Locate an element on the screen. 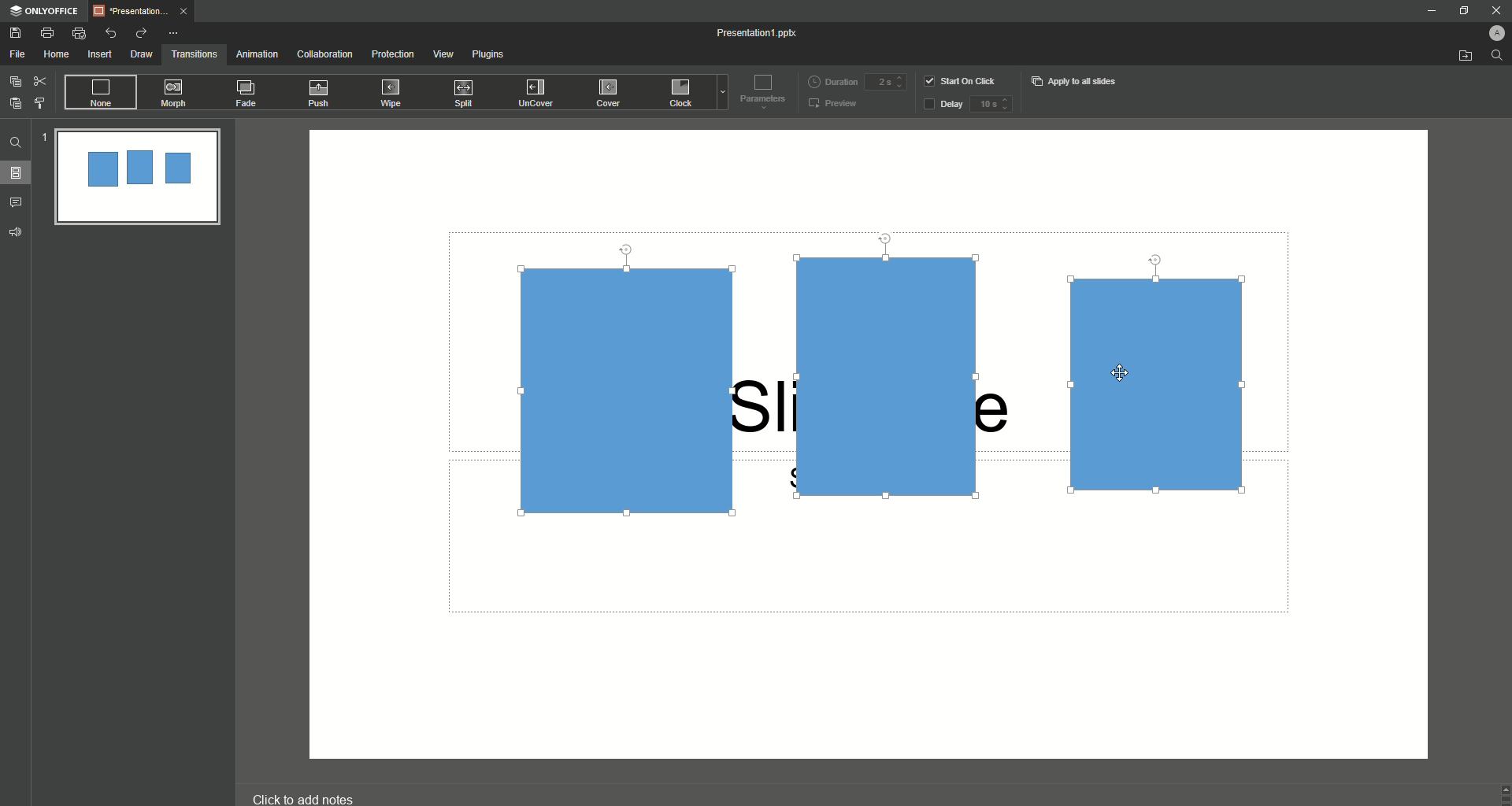  Start on click is located at coordinates (962, 80).